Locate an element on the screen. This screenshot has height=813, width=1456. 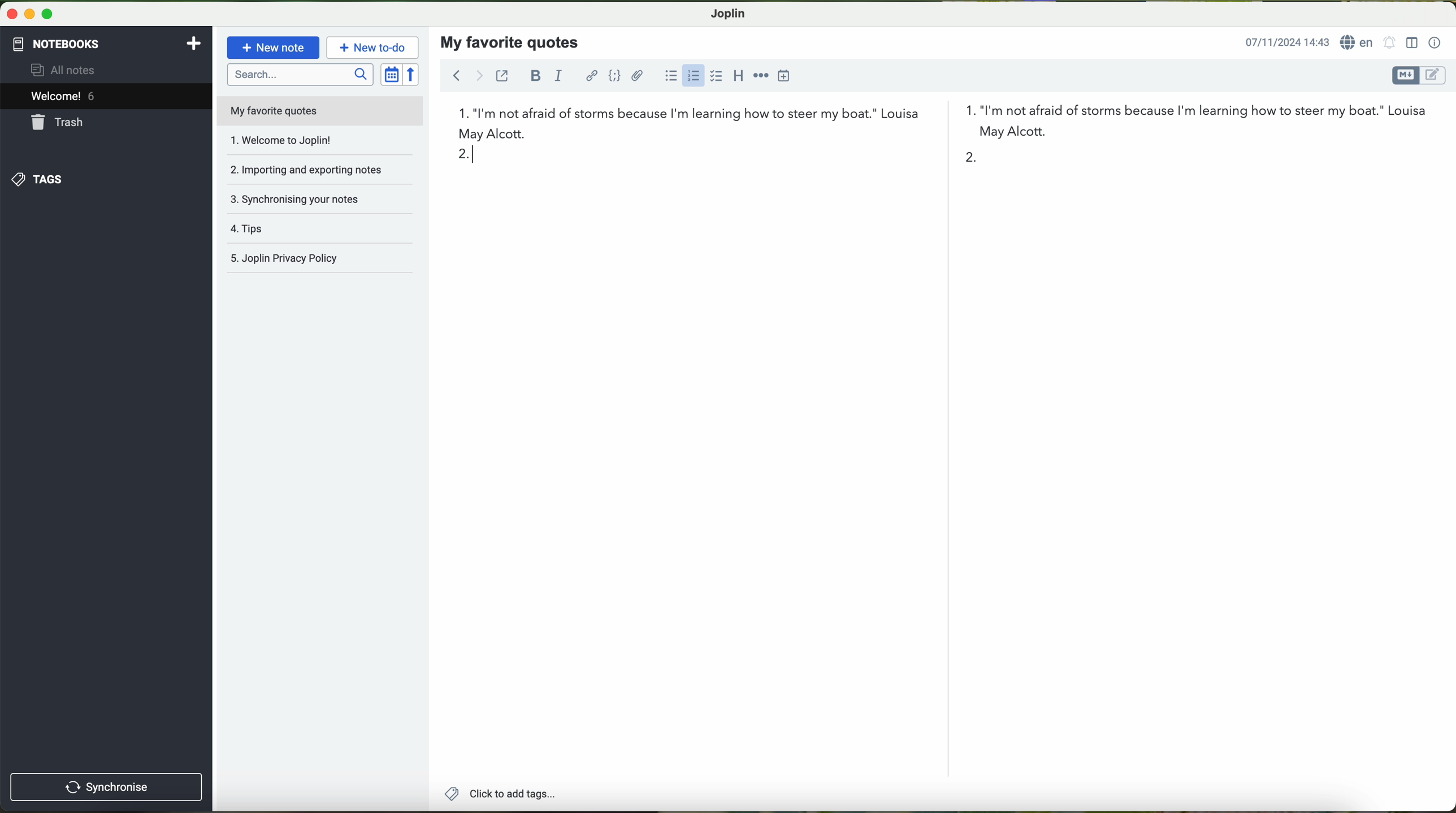
navigation arrows is located at coordinates (463, 75).